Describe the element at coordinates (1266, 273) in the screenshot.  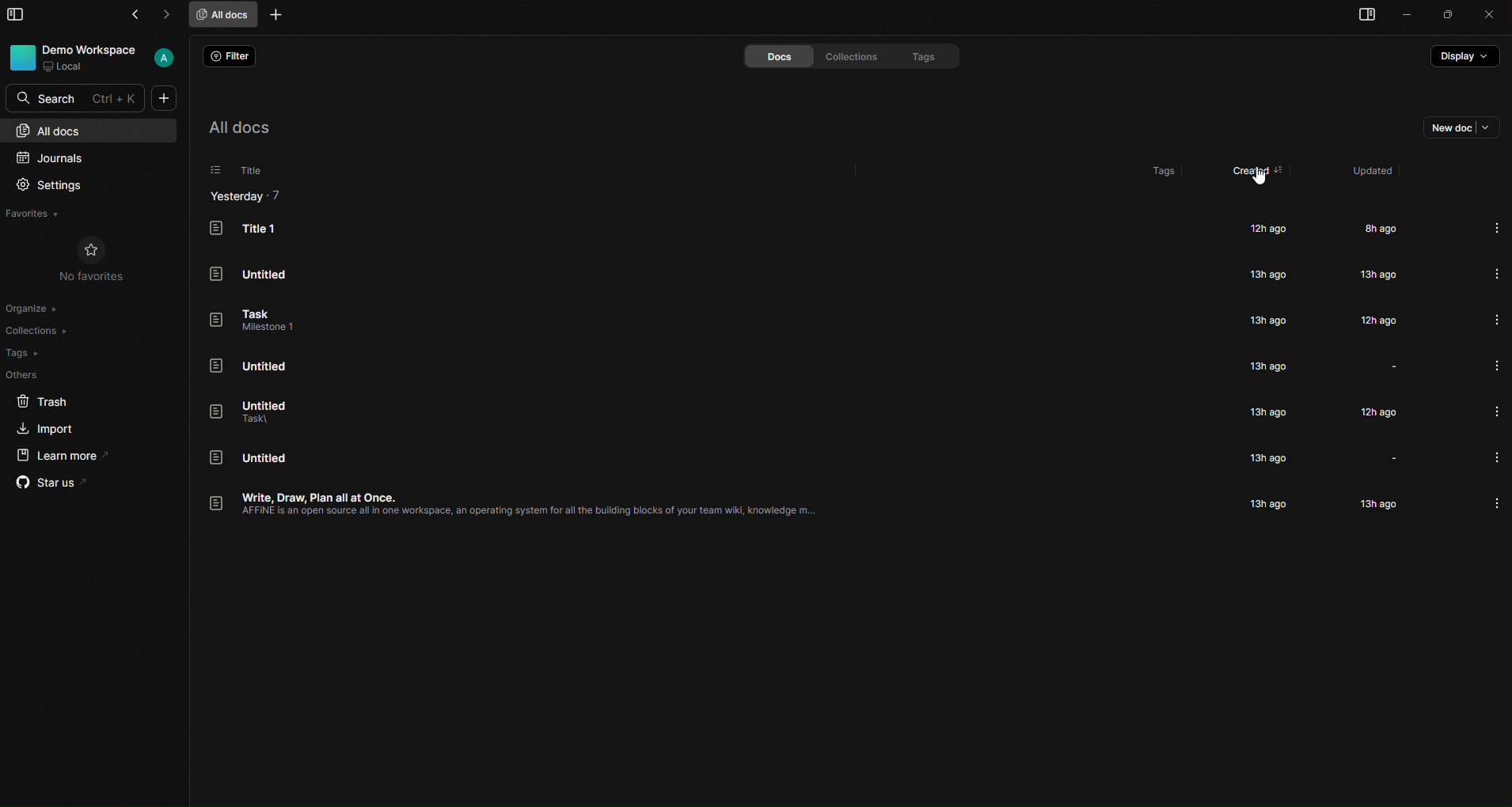
I see `13h ago` at that location.